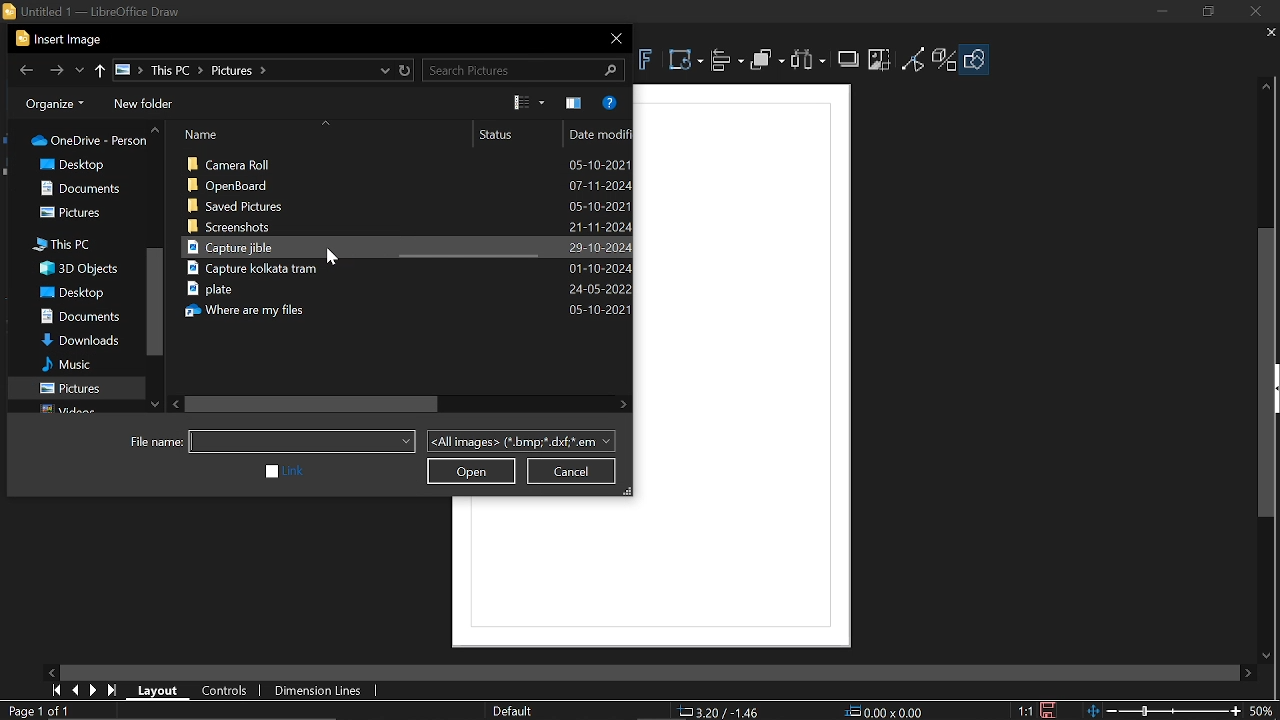 This screenshot has height=720, width=1280. What do you see at coordinates (530, 101) in the screenshot?
I see `View` at bounding box center [530, 101].